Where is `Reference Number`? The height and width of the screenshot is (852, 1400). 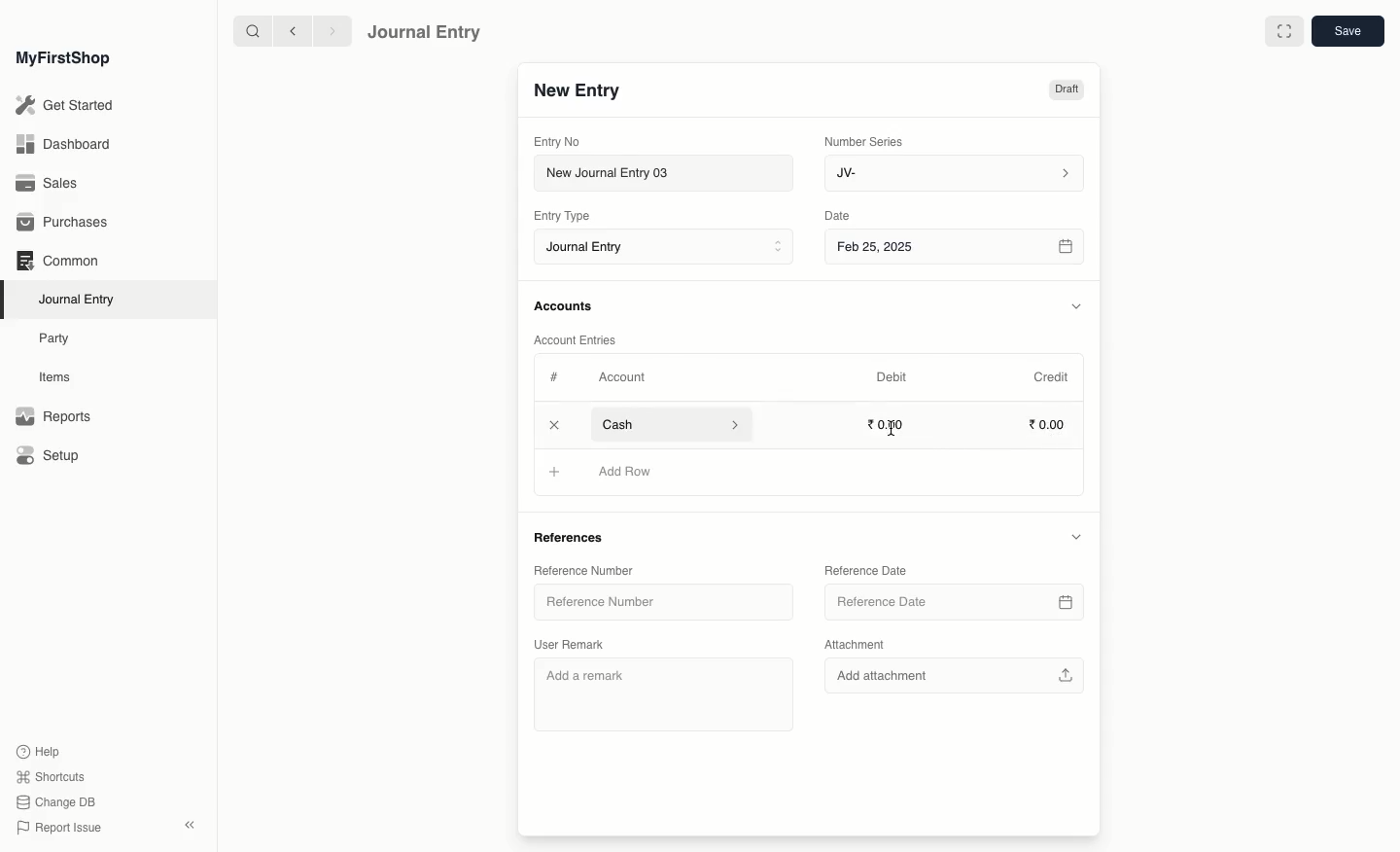 Reference Number is located at coordinates (663, 602).